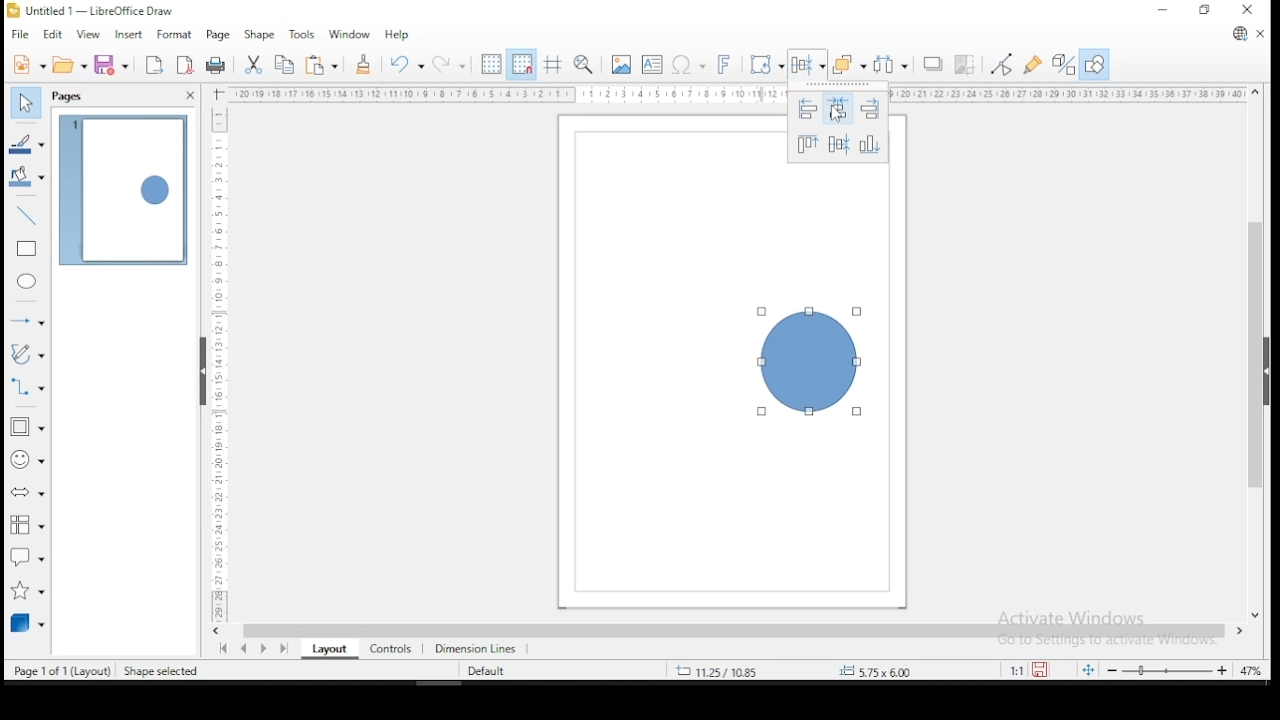  I want to click on page 1 of 1 (layout), so click(63, 669).